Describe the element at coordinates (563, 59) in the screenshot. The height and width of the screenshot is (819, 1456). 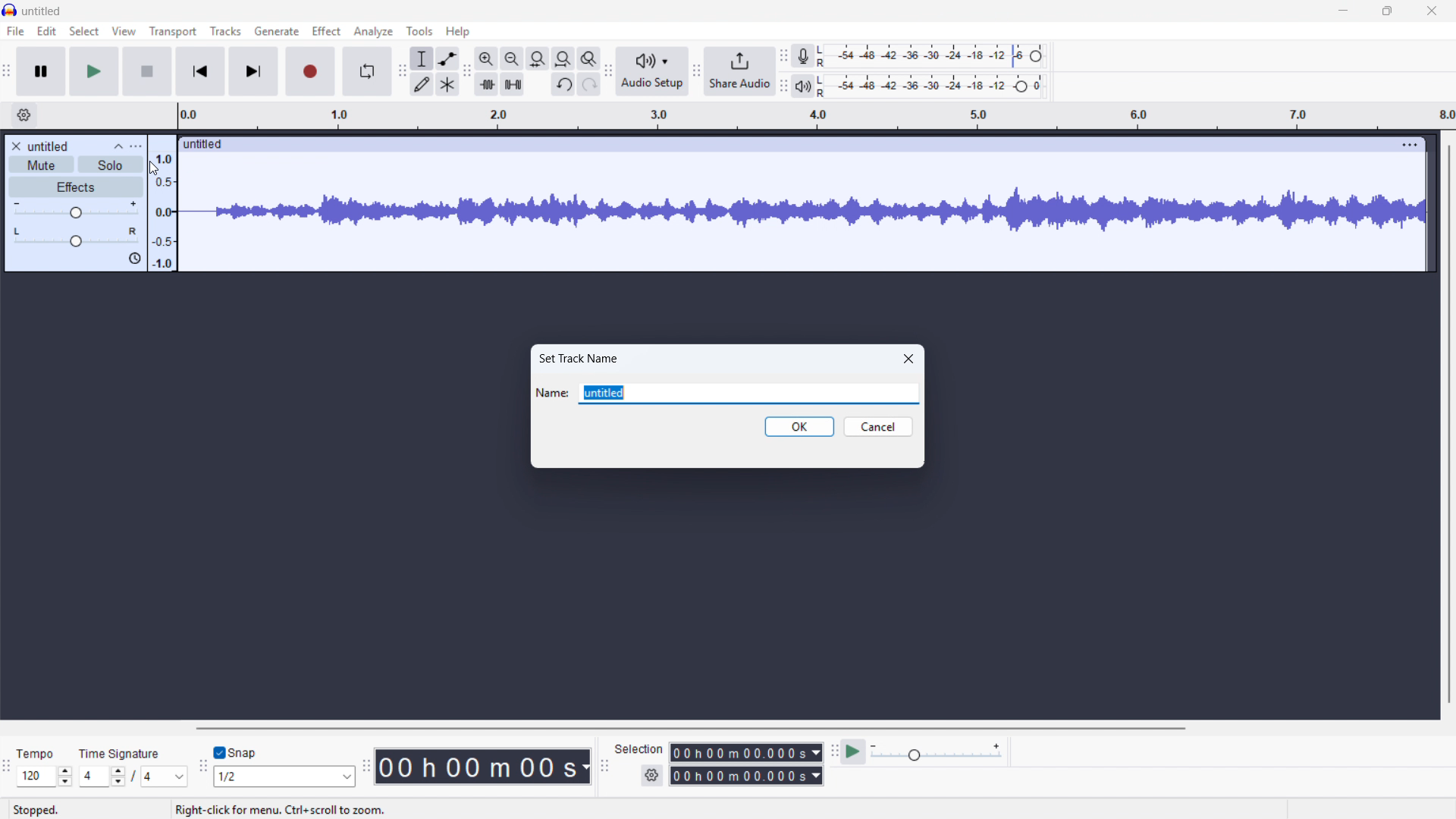
I see `` at that location.